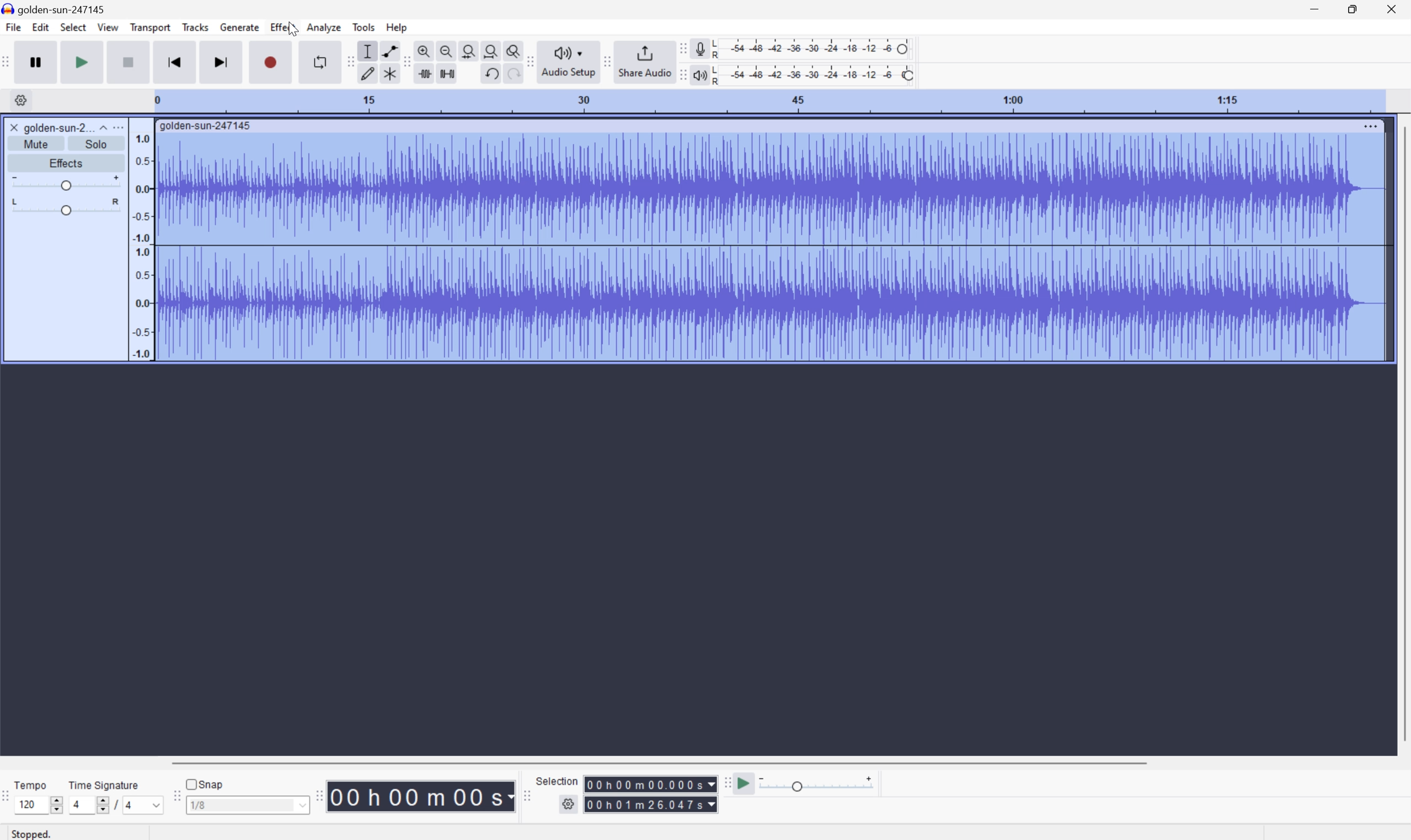 This screenshot has width=1411, height=840. What do you see at coordinates (41, 27) in the screenshot?
I see `Edit` at bounding box center [41, 27].